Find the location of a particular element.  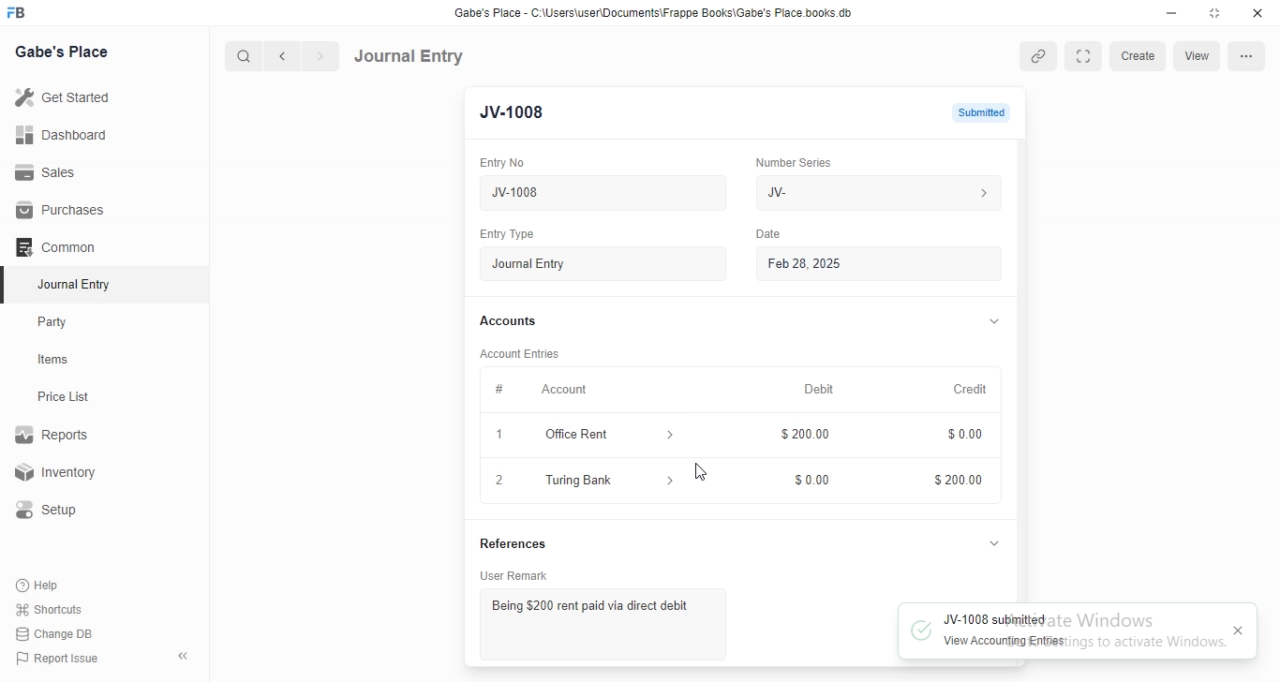

Get Started is located at coordinates (61, 99).